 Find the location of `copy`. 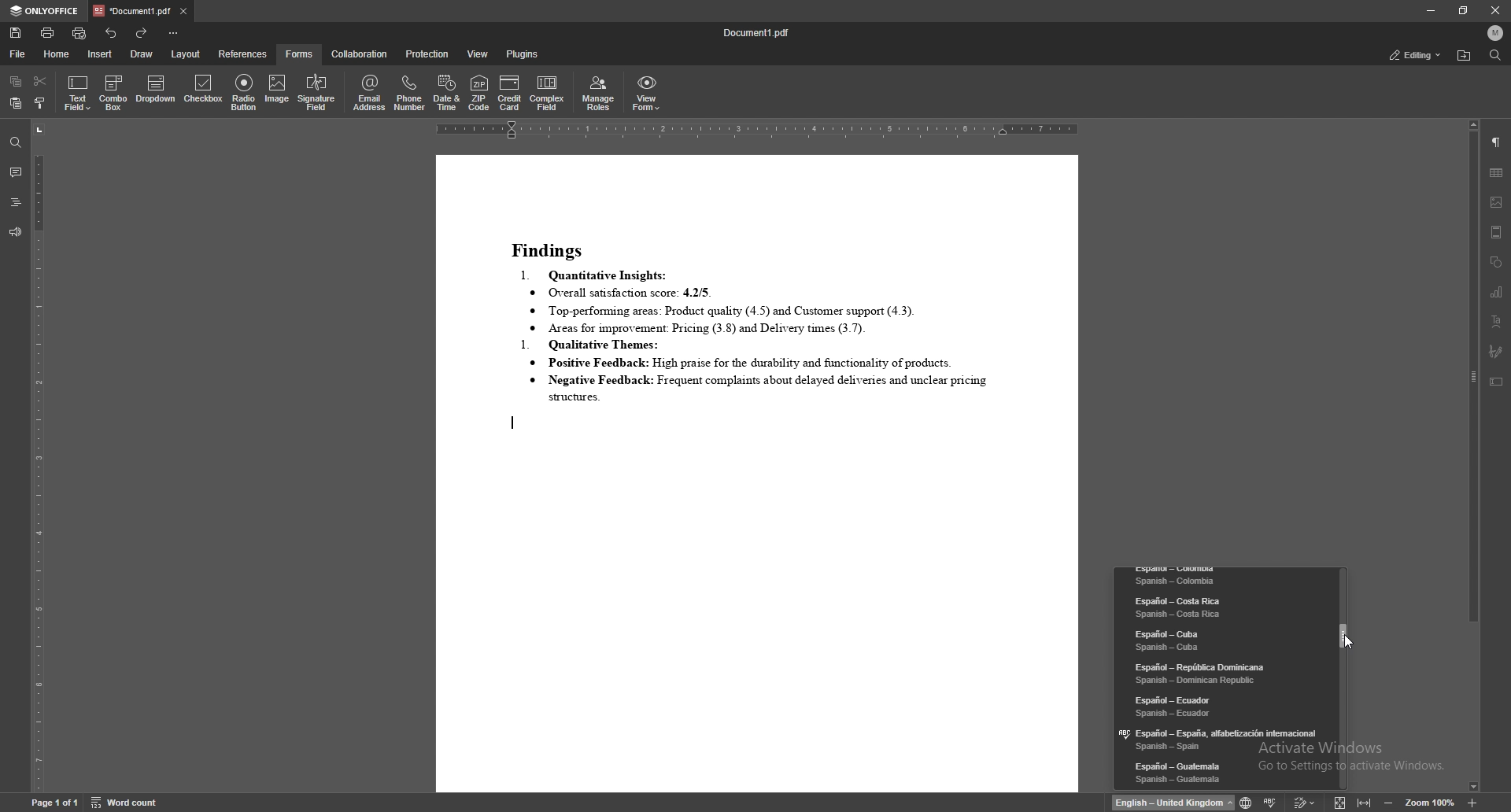

copy is located at coordinates (16, 81).